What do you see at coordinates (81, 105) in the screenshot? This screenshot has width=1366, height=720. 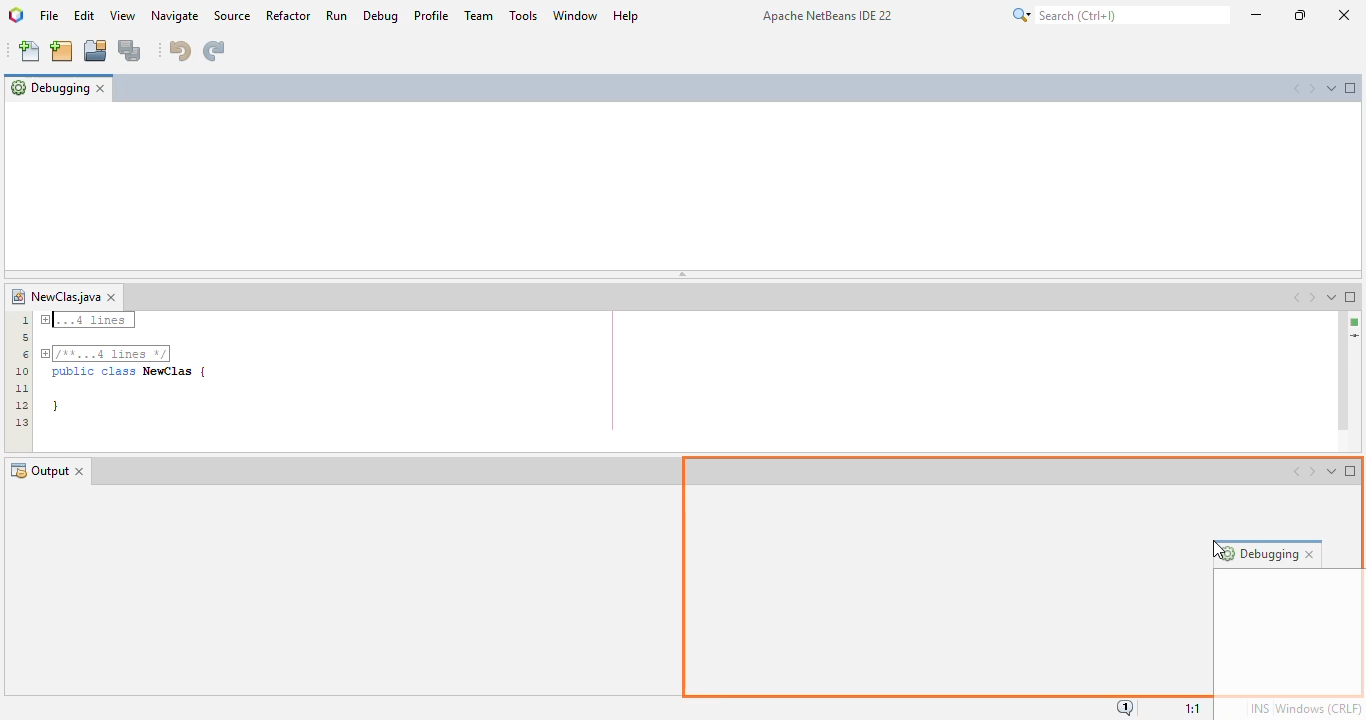 I see `cursor` at bounding box center [81, 105].